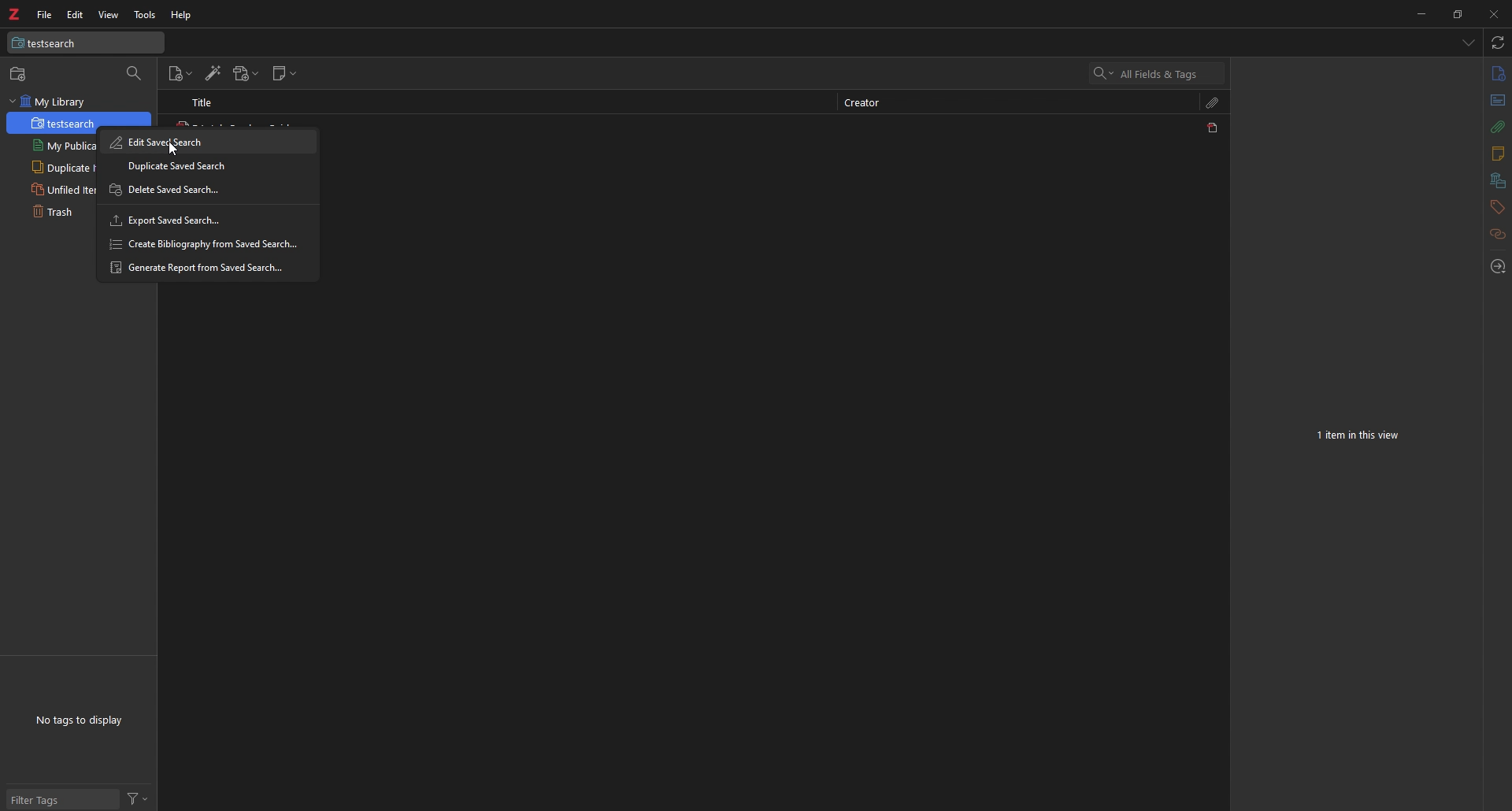 This screenshot has width=1512, height=811. I want to click on delete saved search, so click(205, 191).